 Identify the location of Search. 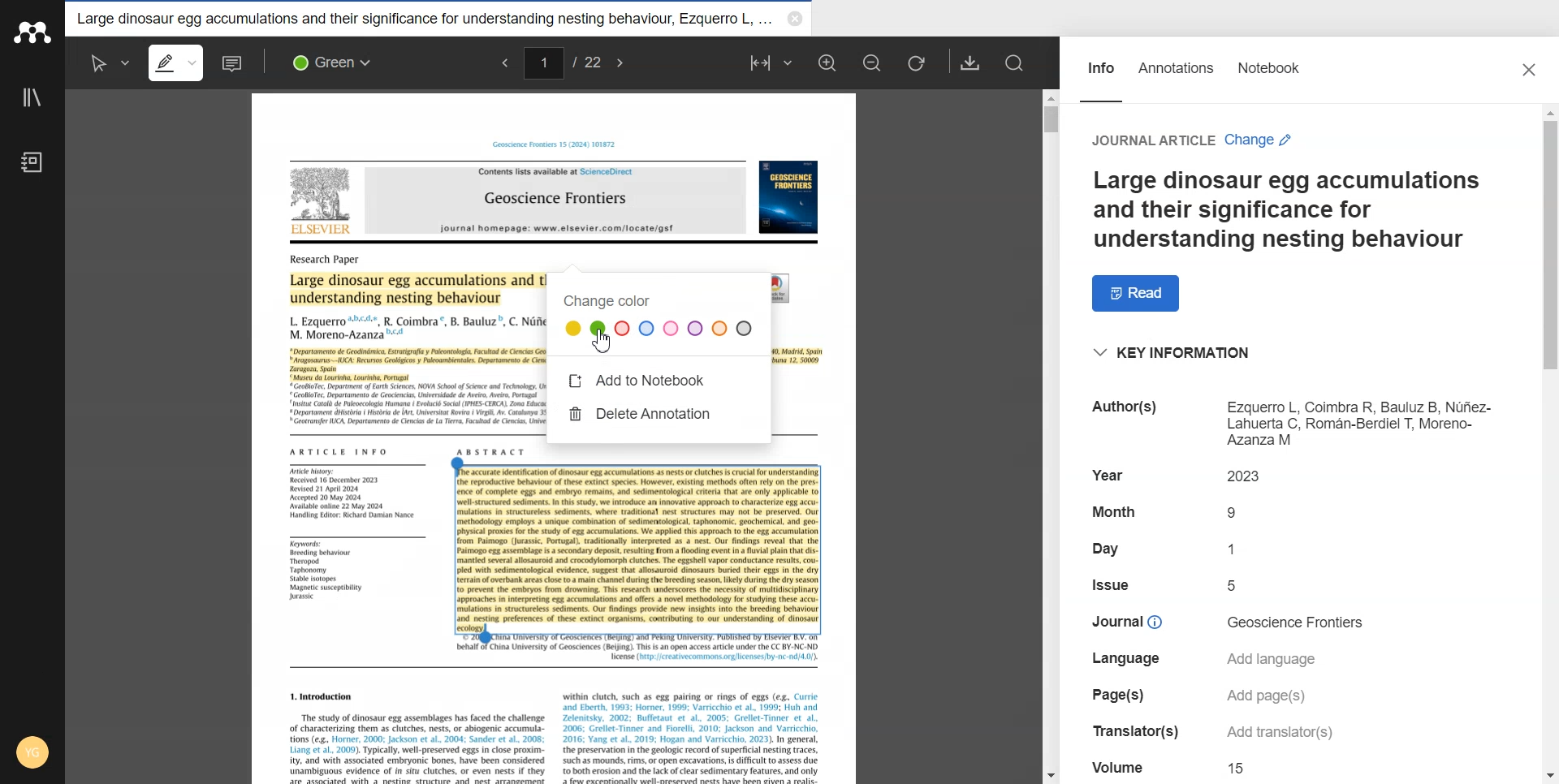
(1017, 64).